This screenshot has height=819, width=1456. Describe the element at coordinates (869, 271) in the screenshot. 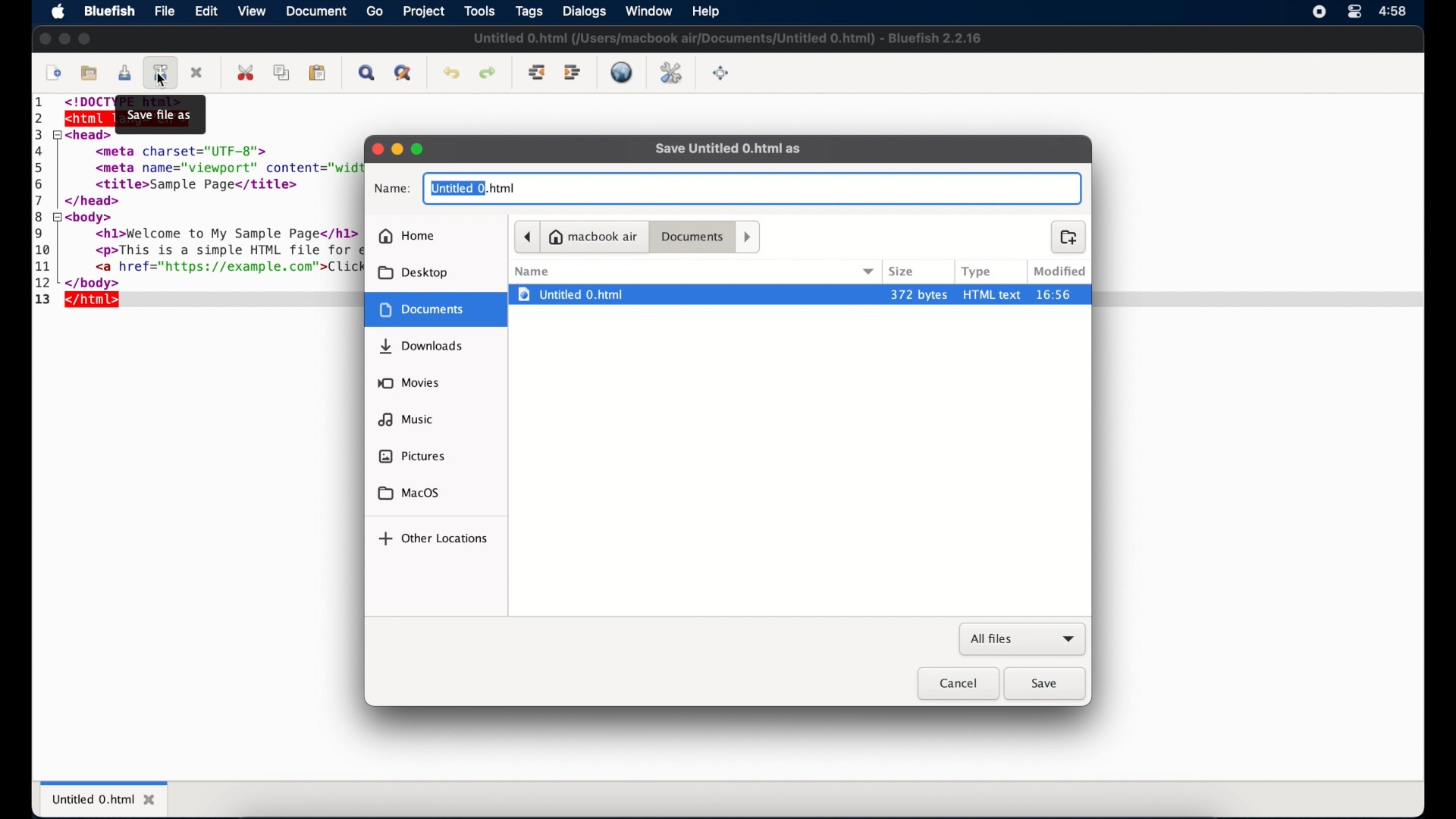

I see `dropdown menu` at that location.